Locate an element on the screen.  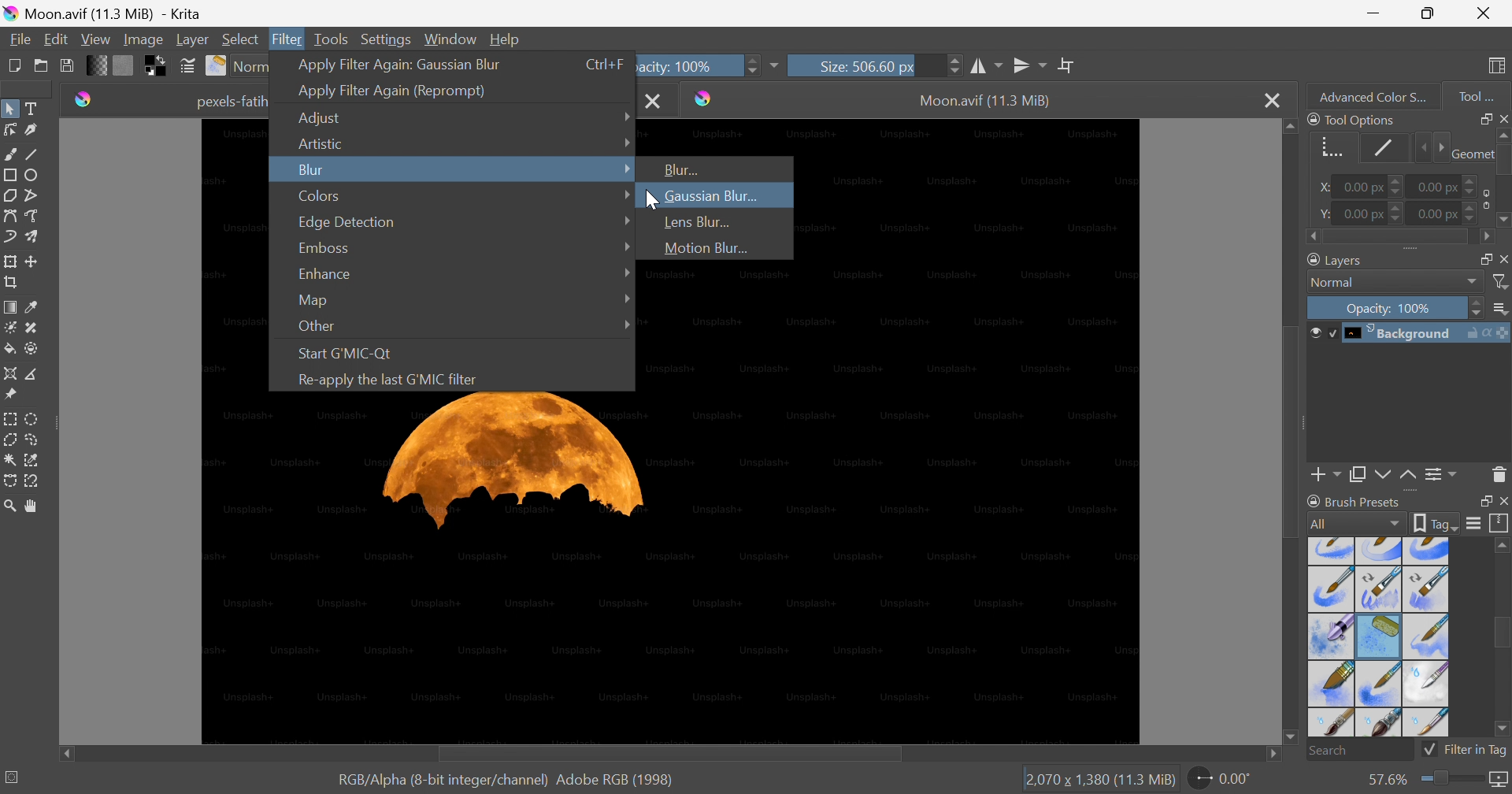
Geometry is located at coordinates (1470, 154).